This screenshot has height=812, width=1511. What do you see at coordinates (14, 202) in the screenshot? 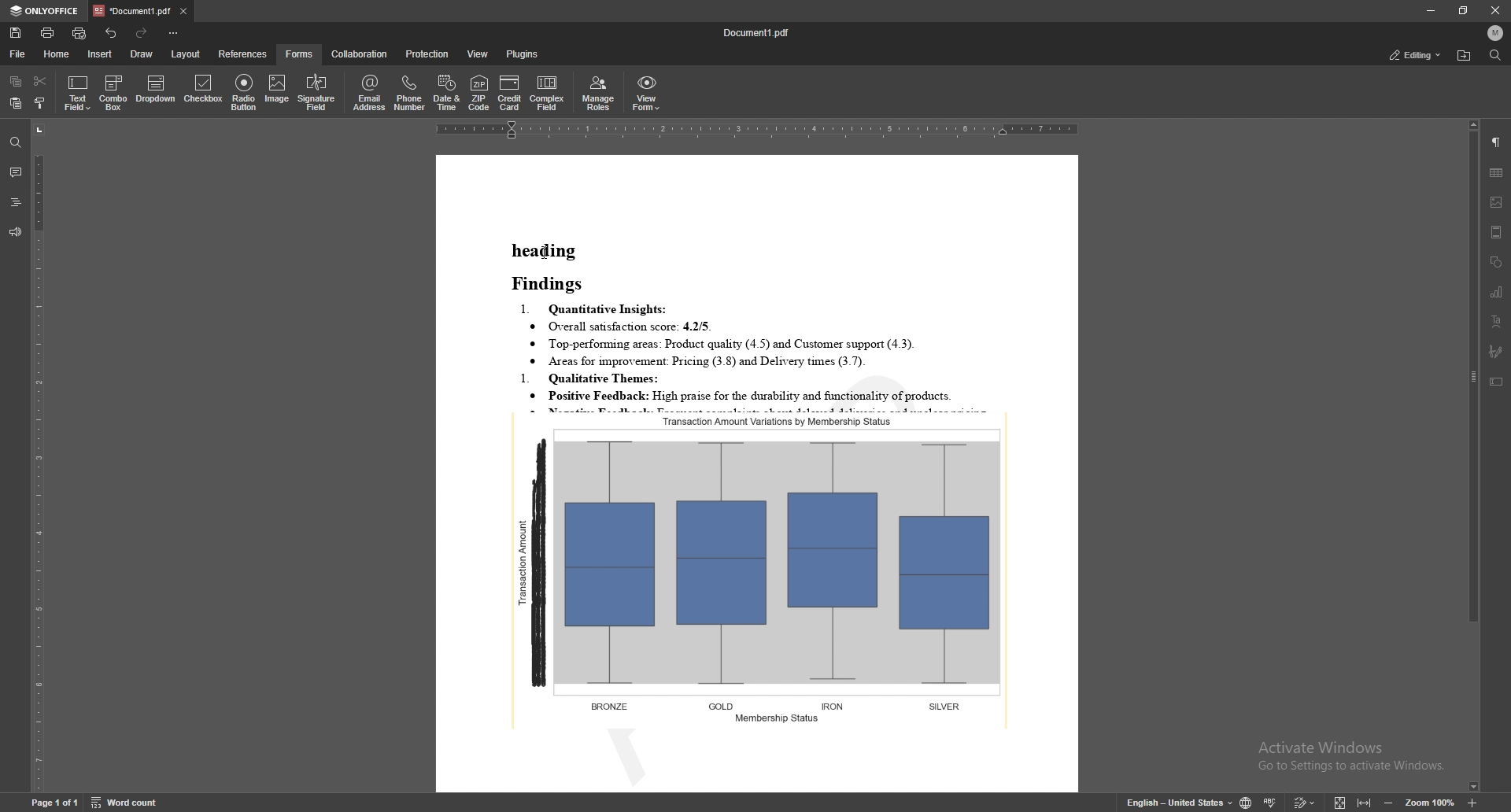
I see `heading` at bounding box center [14, 202].